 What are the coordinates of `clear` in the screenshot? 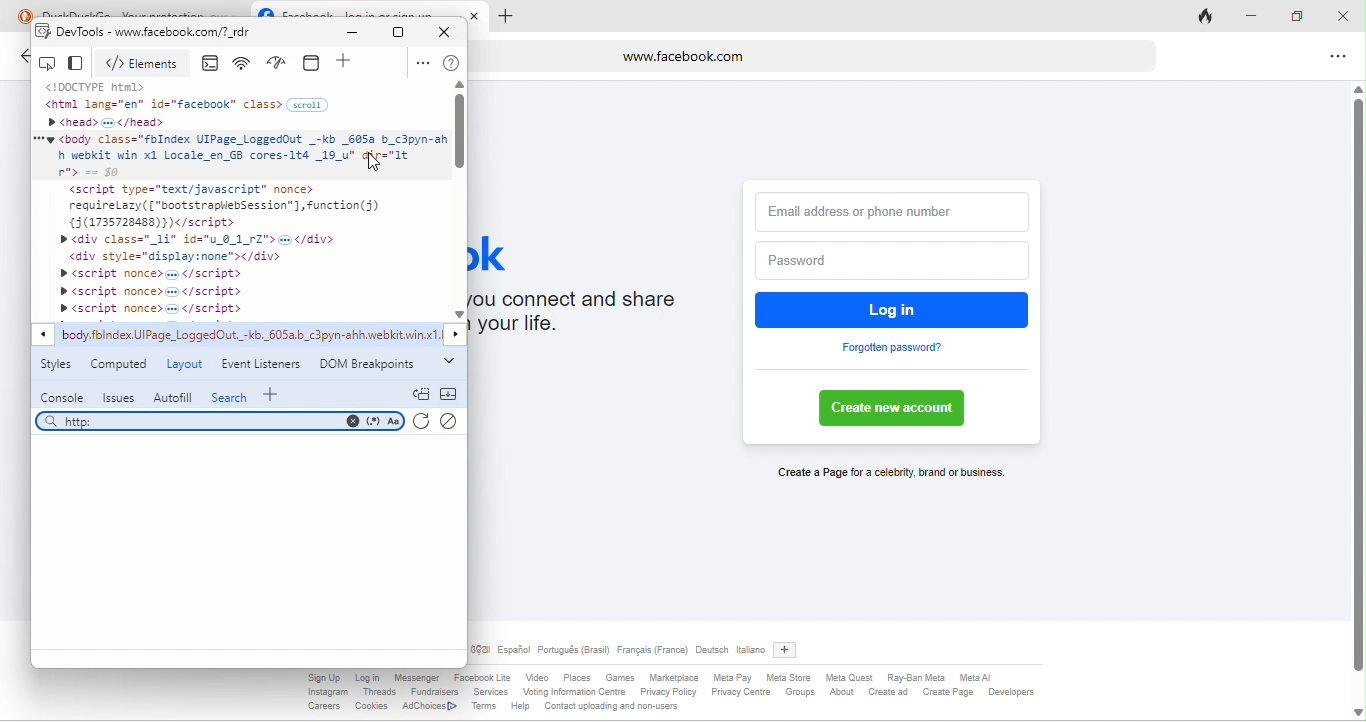 It's located at (453, 419).